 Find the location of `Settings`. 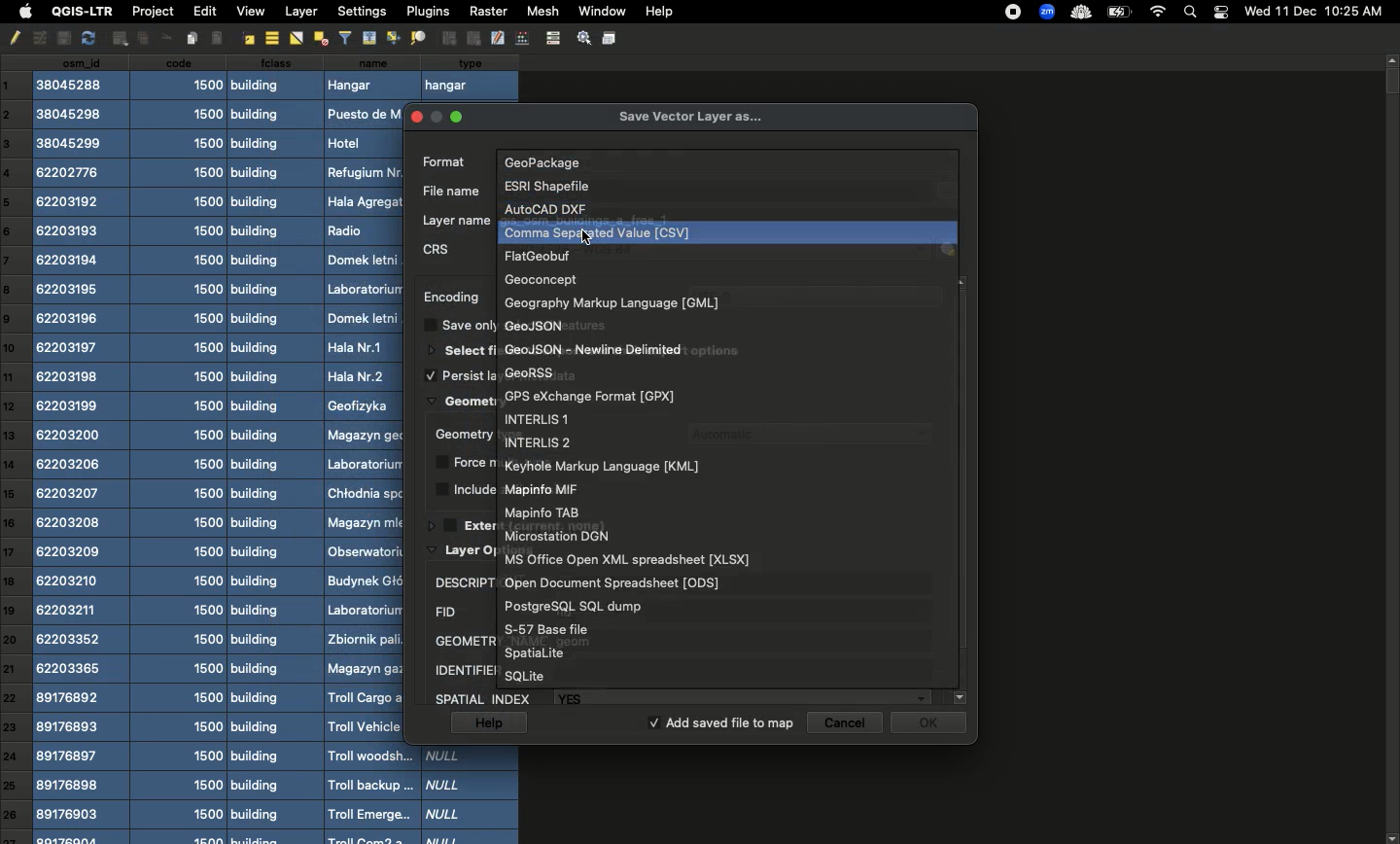

Settings is located at coordinates (581, 37).